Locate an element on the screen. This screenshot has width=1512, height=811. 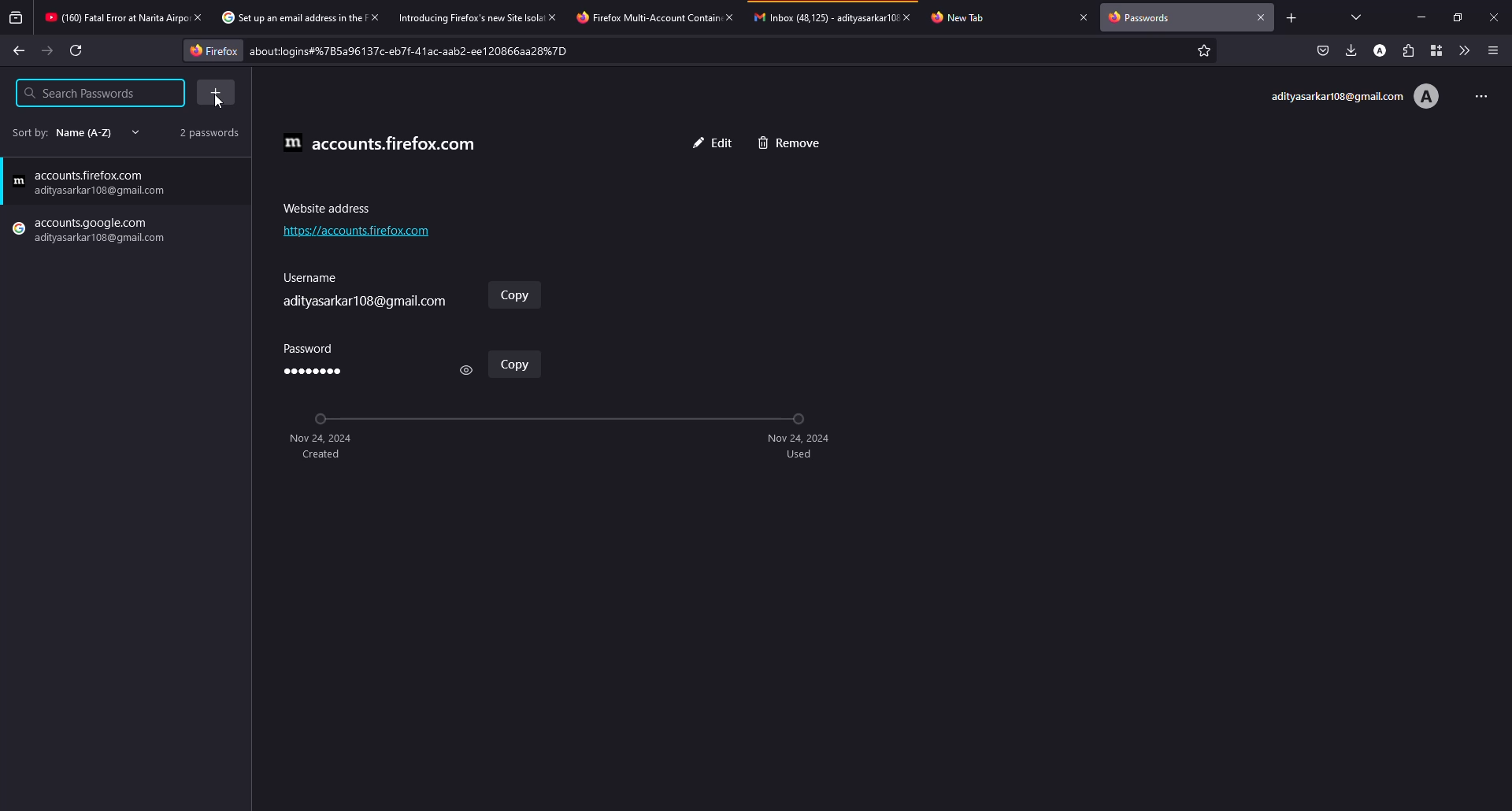
tab is located at coordinates (966, 17).